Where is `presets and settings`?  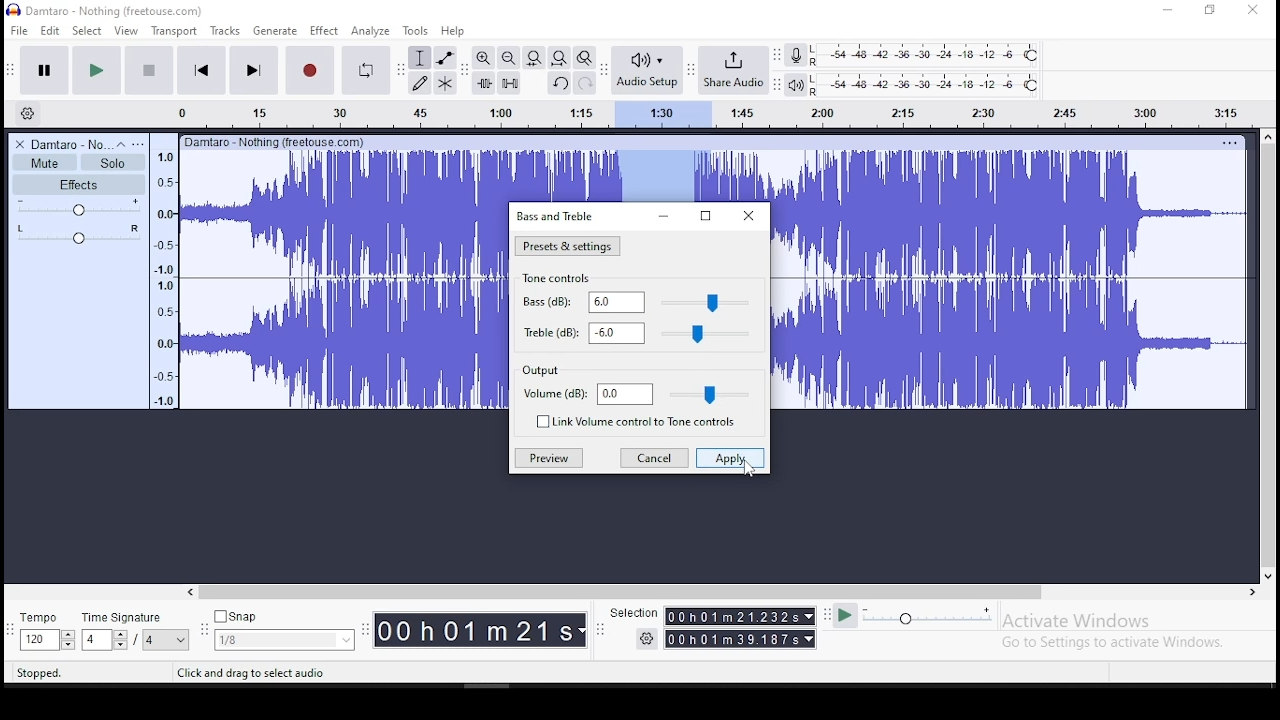
presets and settings is located at coordinates (566, 246).